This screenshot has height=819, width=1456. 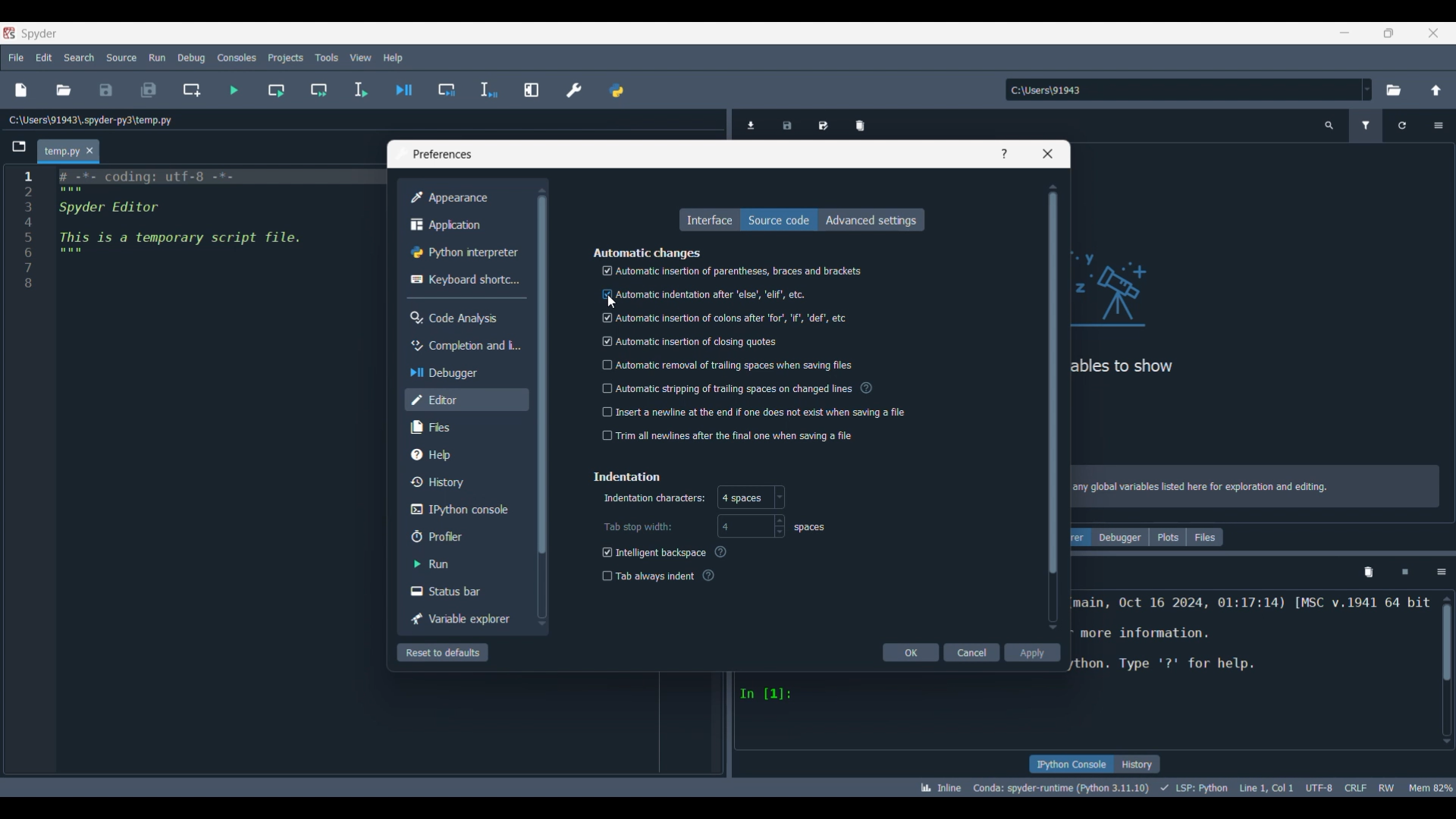 I want to click on History, so click(x=466, y=482).